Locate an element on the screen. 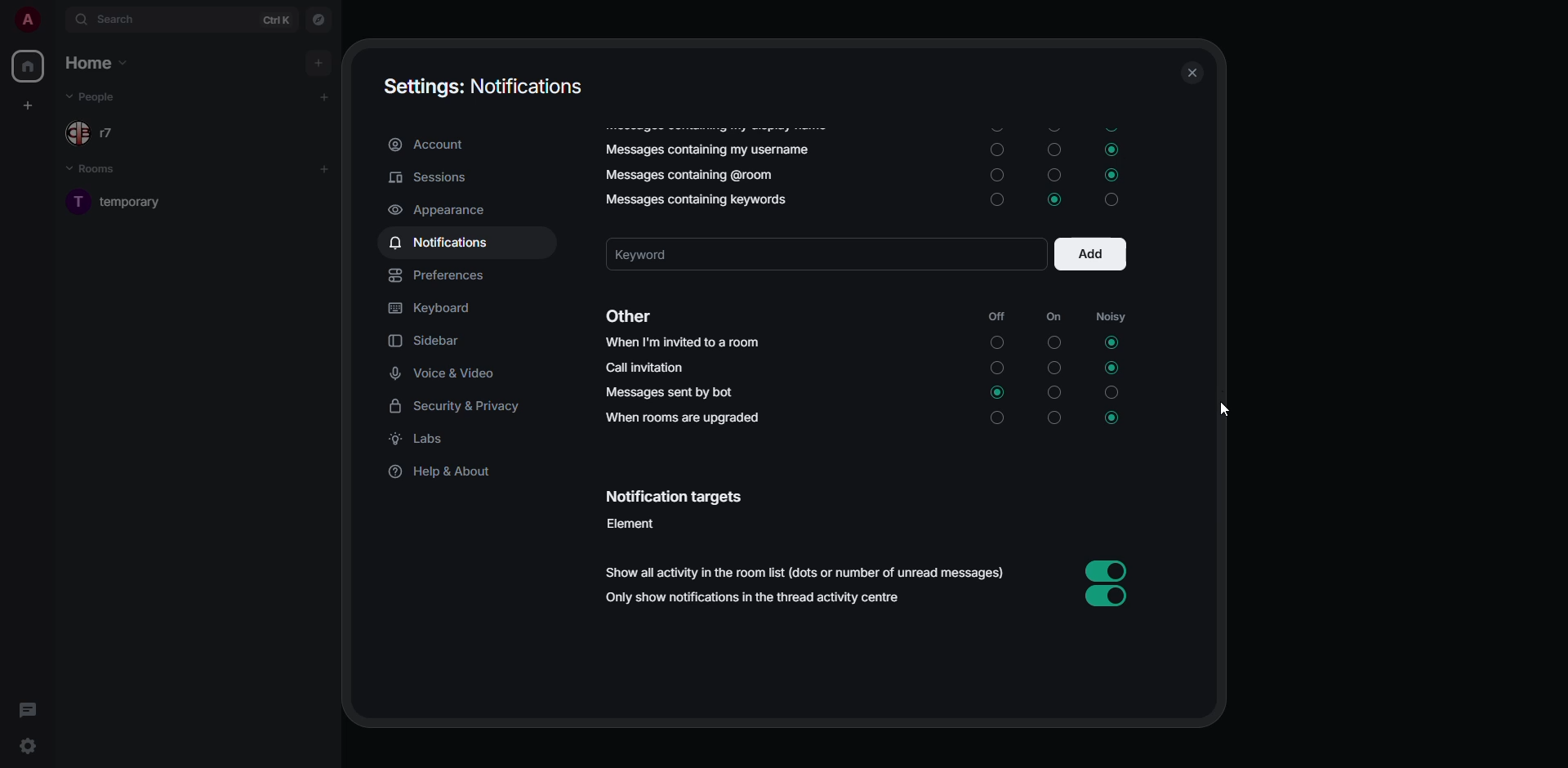  selected is located at coordinates (1052, 199).